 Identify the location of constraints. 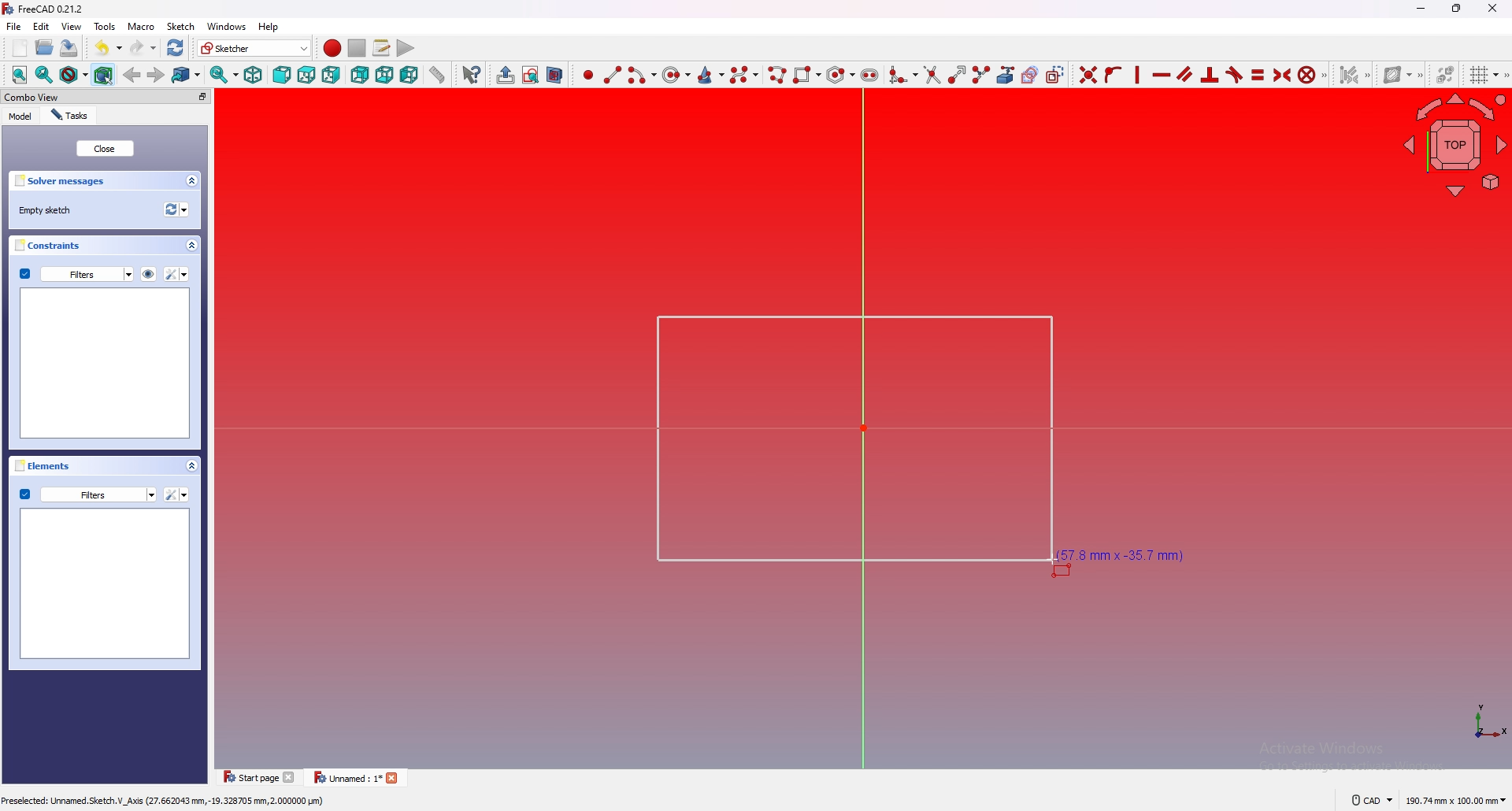
(47, 245).